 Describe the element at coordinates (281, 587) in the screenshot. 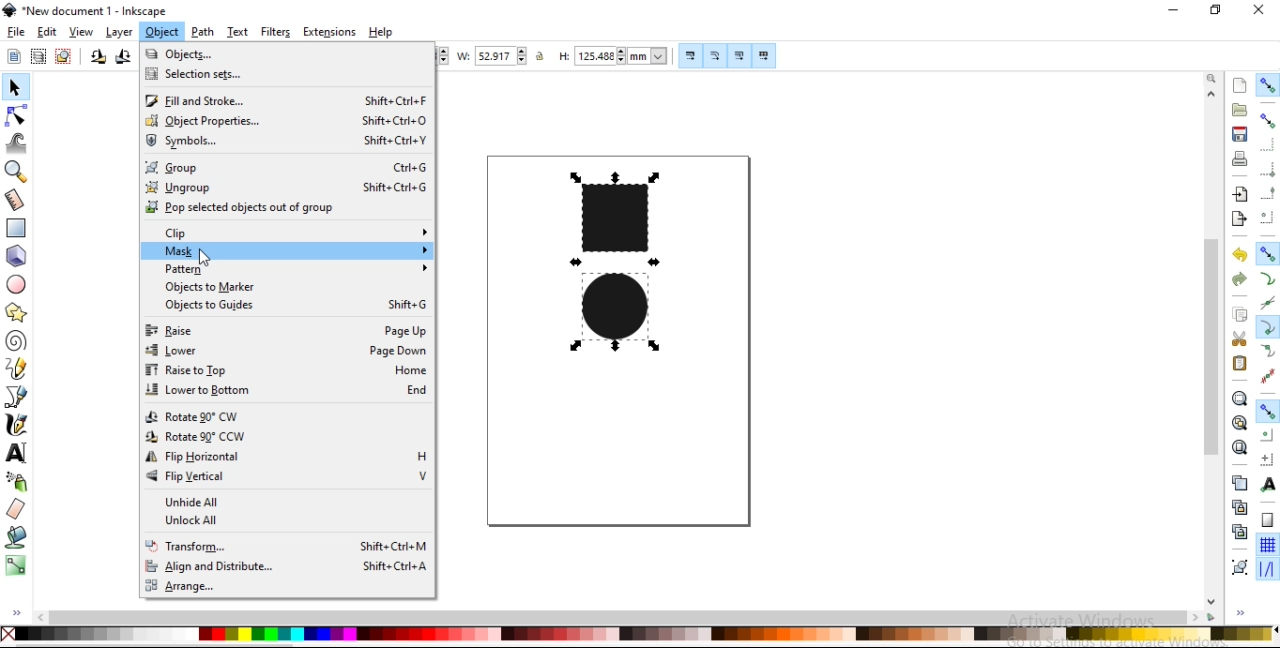

I see `range` at that location.